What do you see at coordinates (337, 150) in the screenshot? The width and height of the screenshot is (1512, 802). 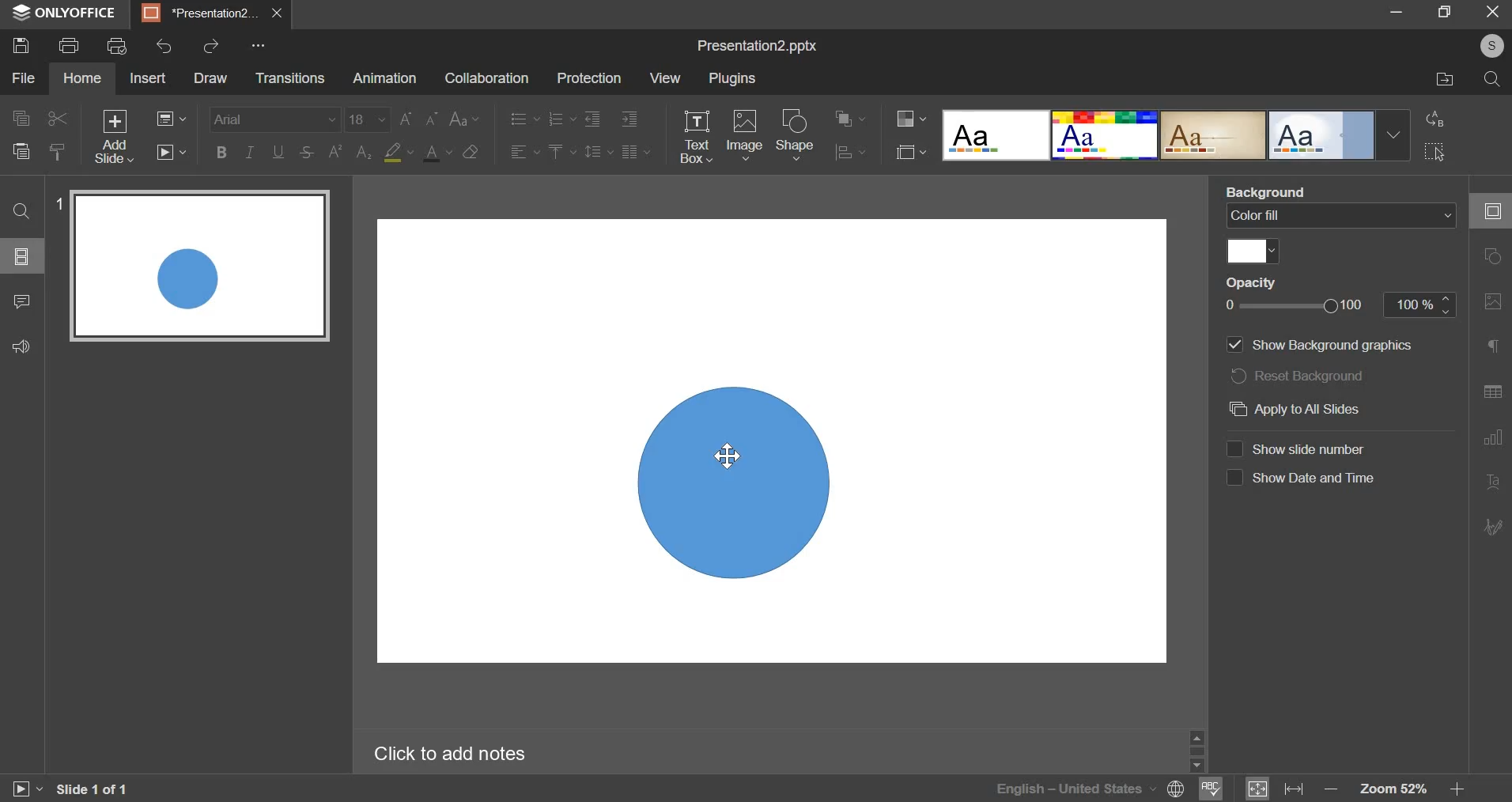 I see `superscript` at bounding box center [337, 150].